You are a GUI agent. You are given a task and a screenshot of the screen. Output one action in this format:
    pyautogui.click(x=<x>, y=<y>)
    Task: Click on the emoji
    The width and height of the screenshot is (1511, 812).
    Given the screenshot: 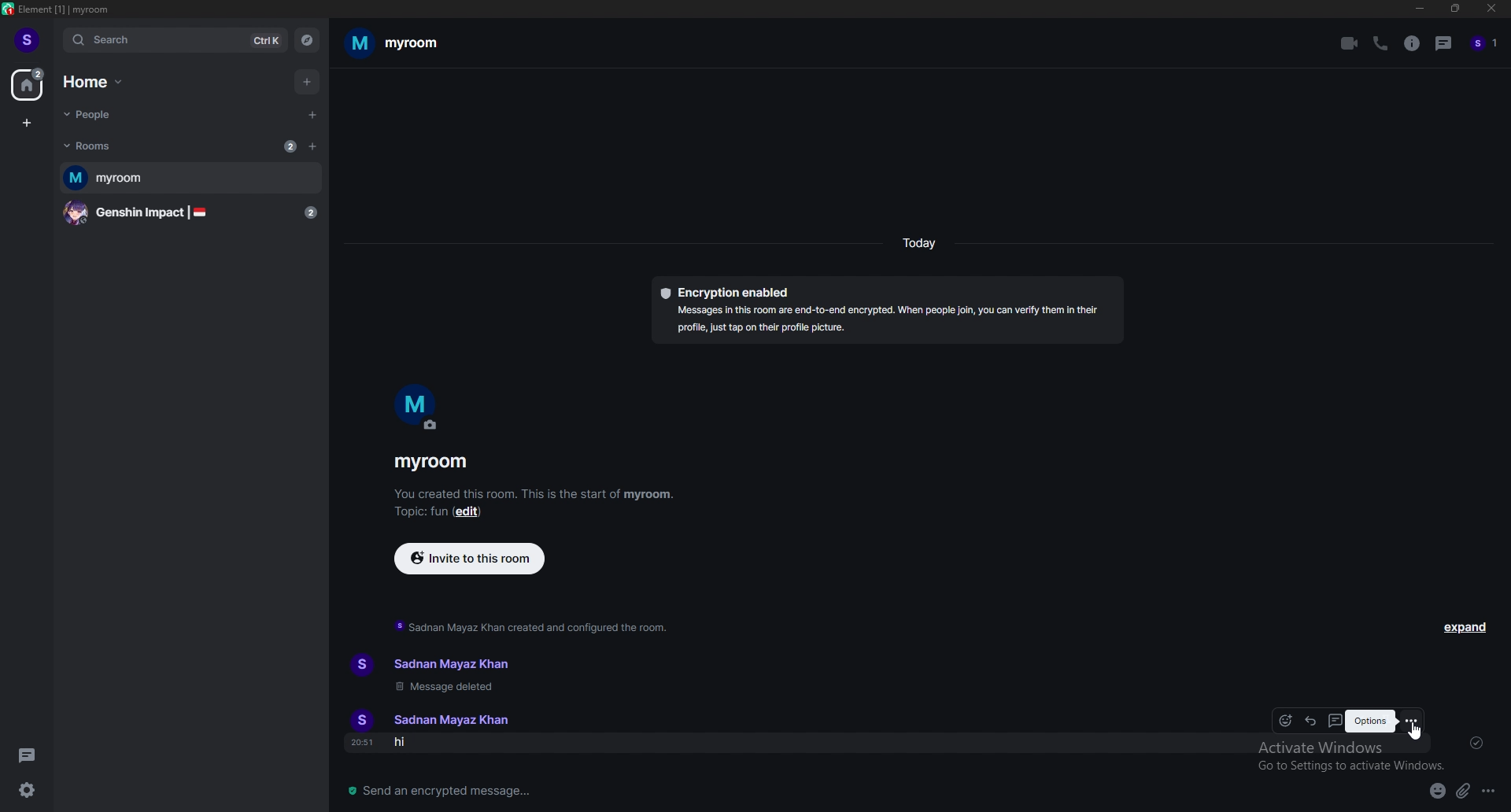 What is the action you would take?
    pyautogui.click(x=1436, y=792)
    